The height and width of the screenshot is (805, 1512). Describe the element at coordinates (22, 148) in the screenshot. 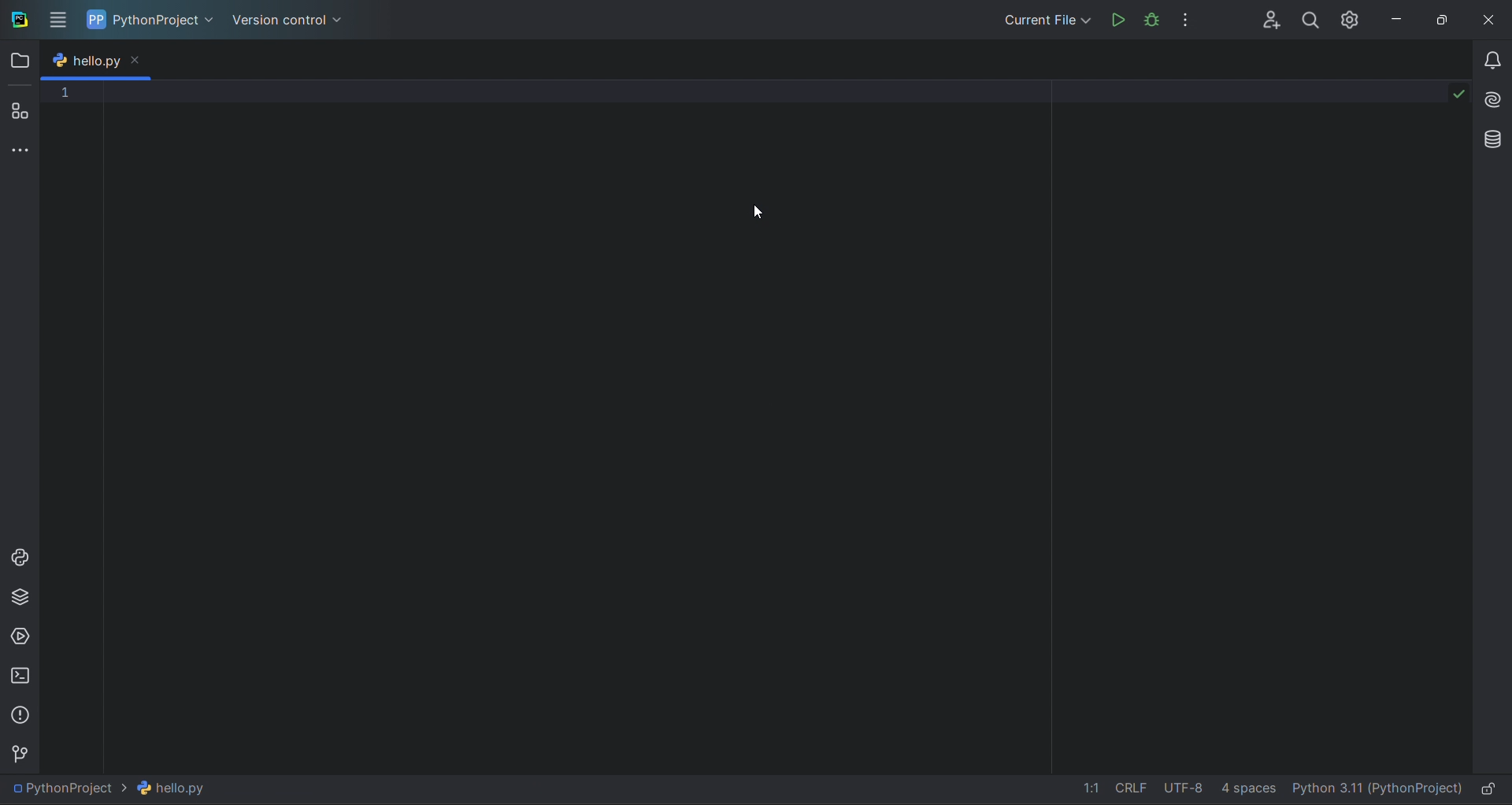

I see `tool window` at that location.